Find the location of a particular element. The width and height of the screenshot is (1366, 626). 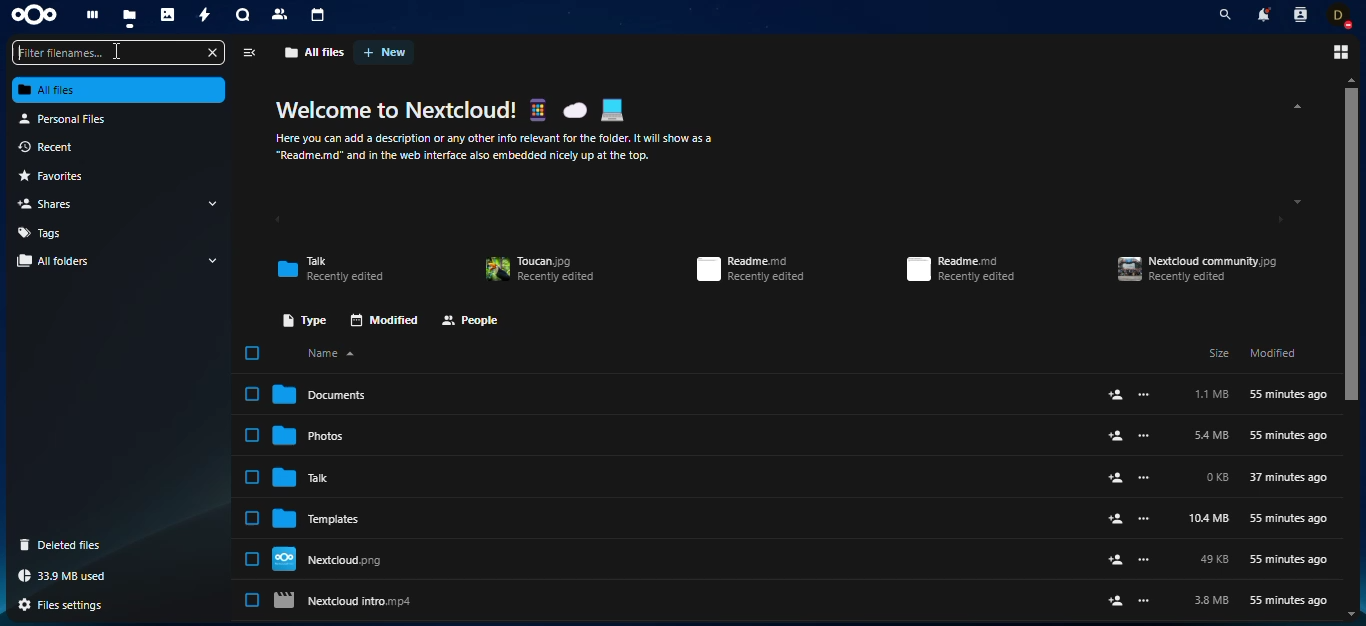

add is located at coordinates (1116, 436).